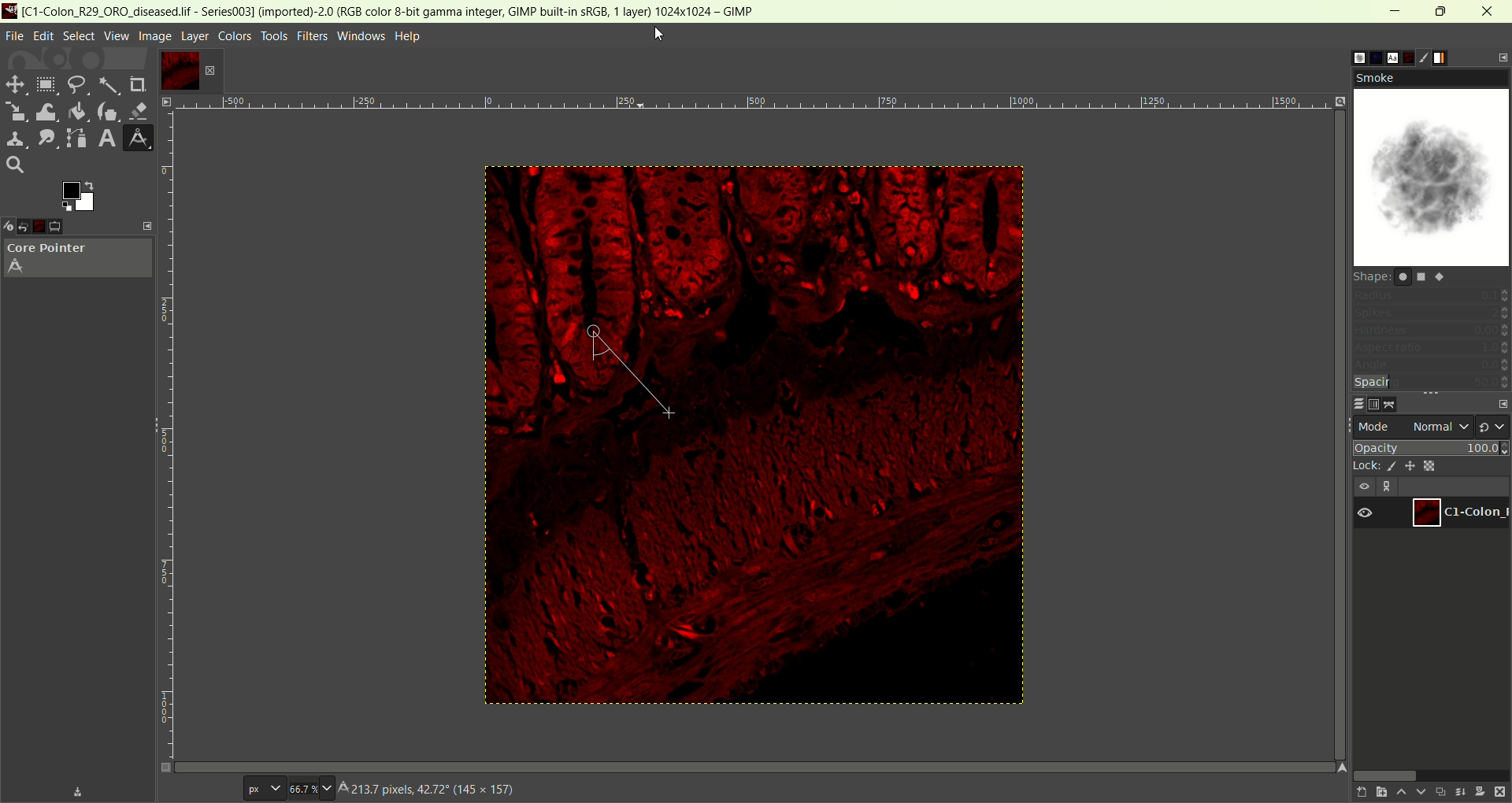 This screenshot has width=1512, height=803. I want to click on path tool, so click(73, 137).